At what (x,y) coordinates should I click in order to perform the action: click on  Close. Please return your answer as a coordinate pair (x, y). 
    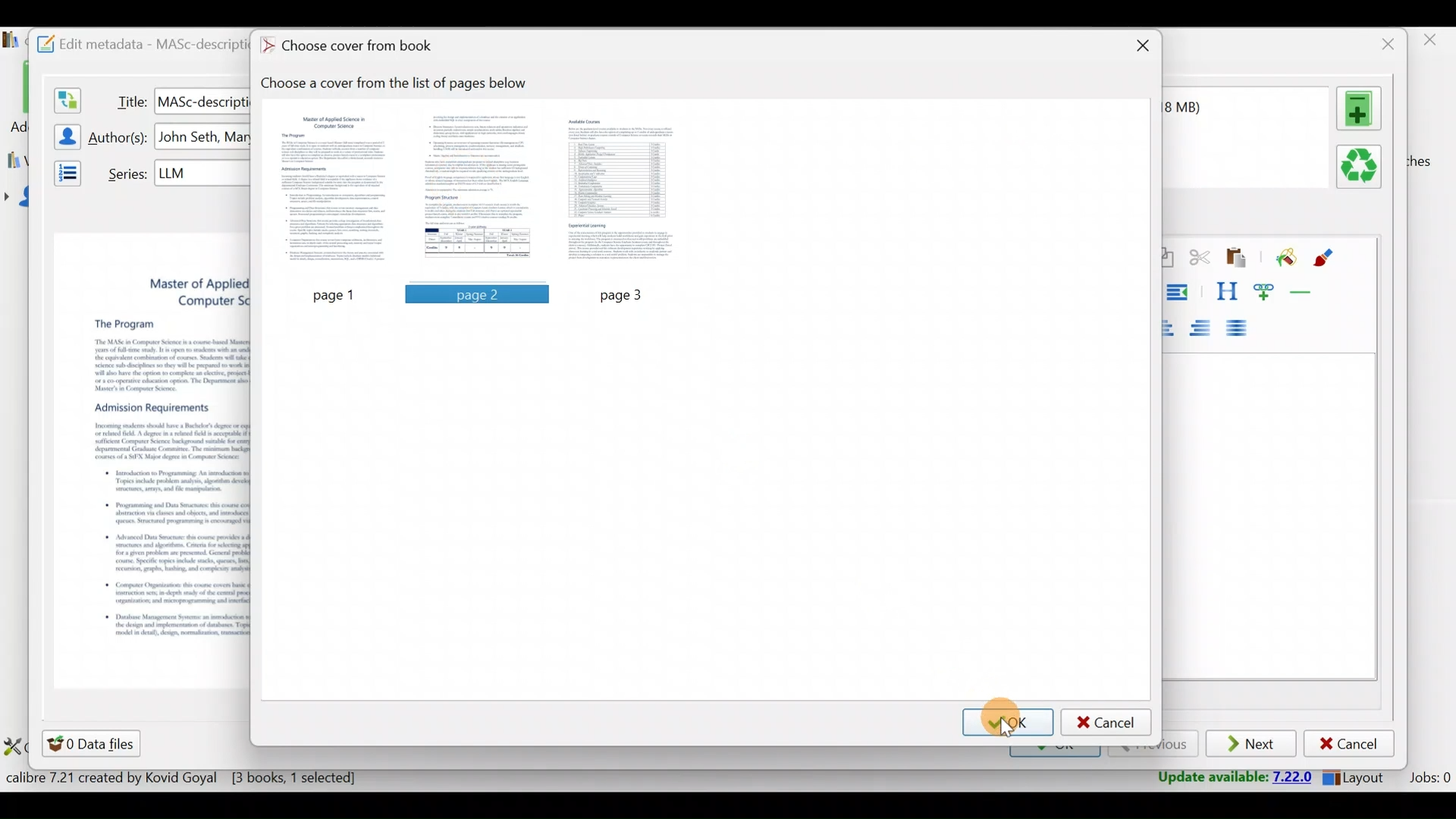
    Looking at the image, I should click on (1432, 44).